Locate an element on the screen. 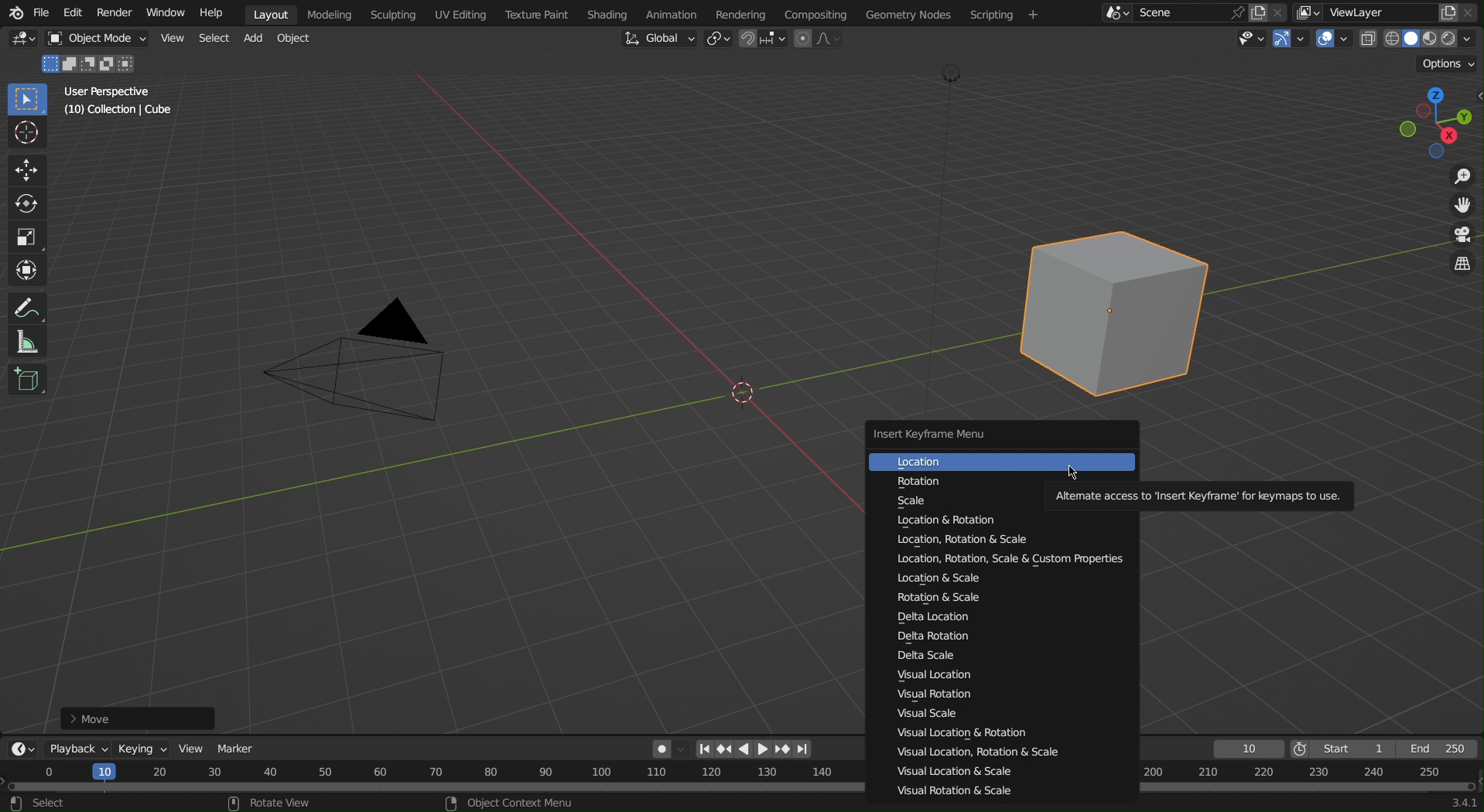  Options is located at coordinates (1450, 63).